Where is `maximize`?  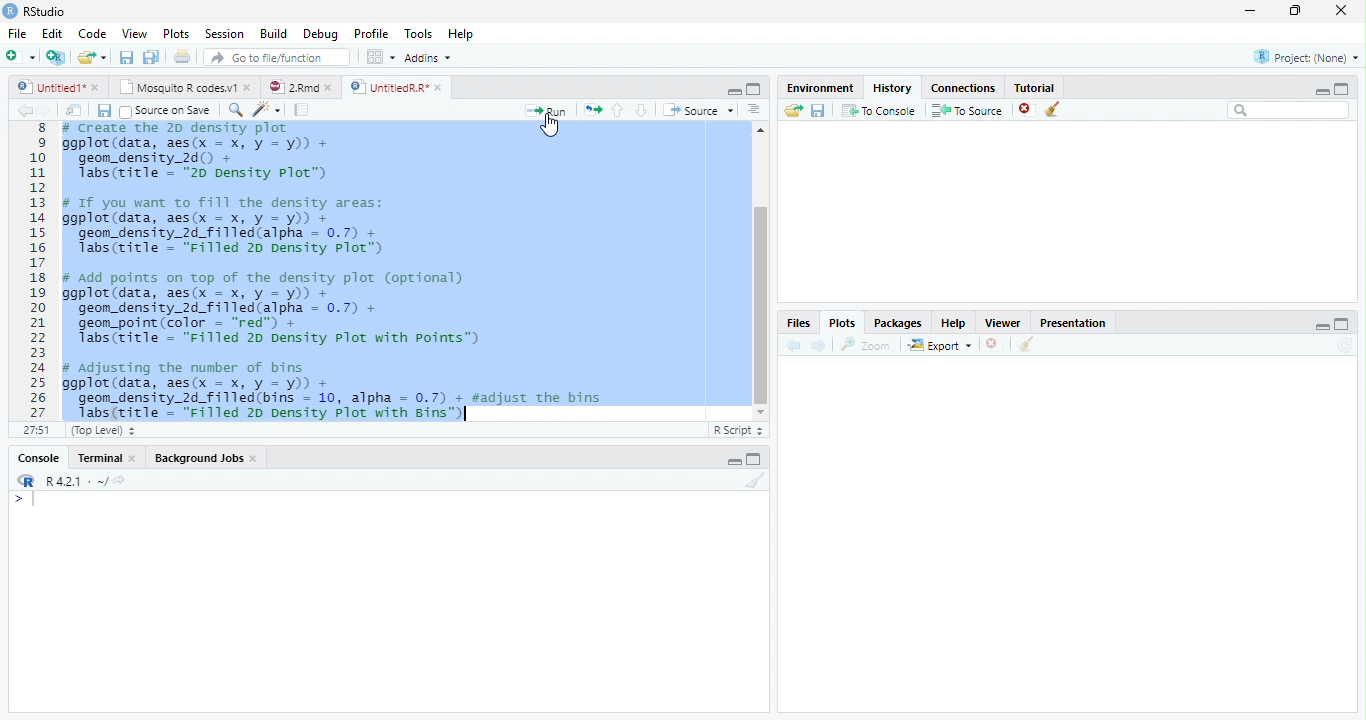
maximize is located at coordinates (1344, 323).